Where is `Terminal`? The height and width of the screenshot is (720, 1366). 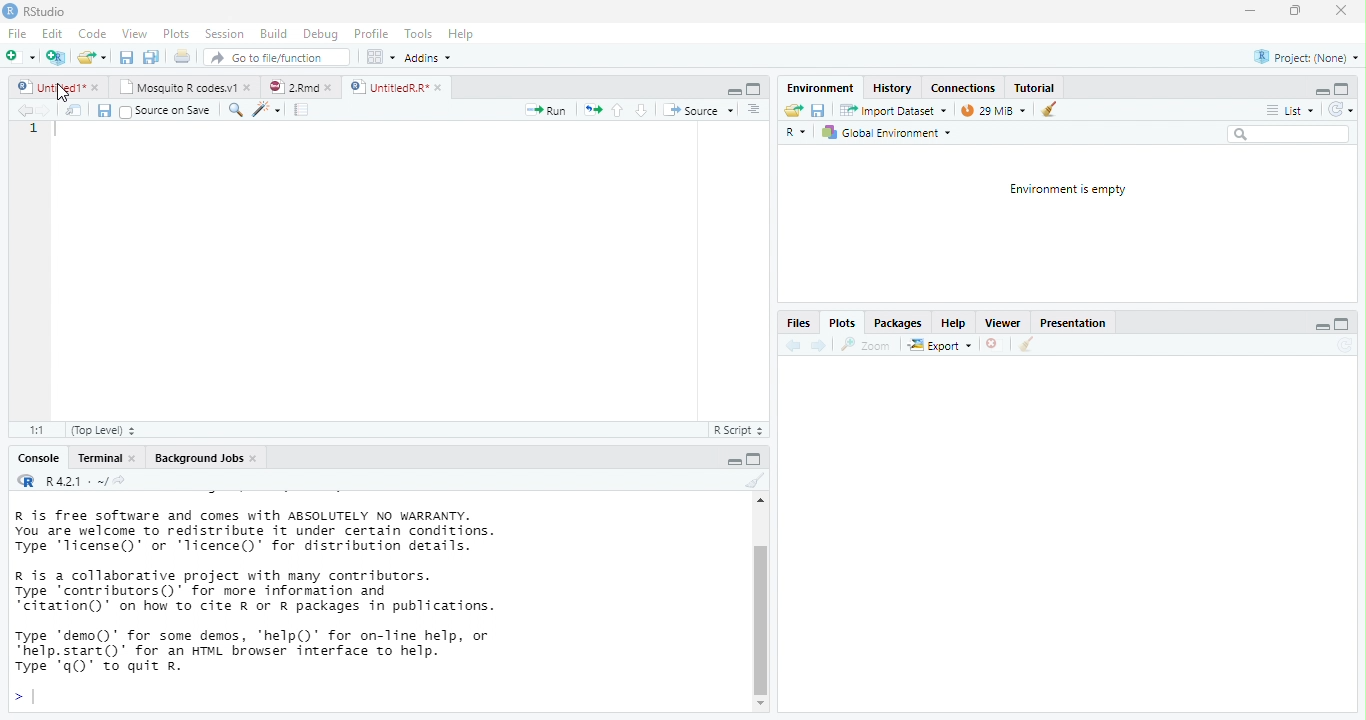 Terminal is located at coordinates (99, 458).